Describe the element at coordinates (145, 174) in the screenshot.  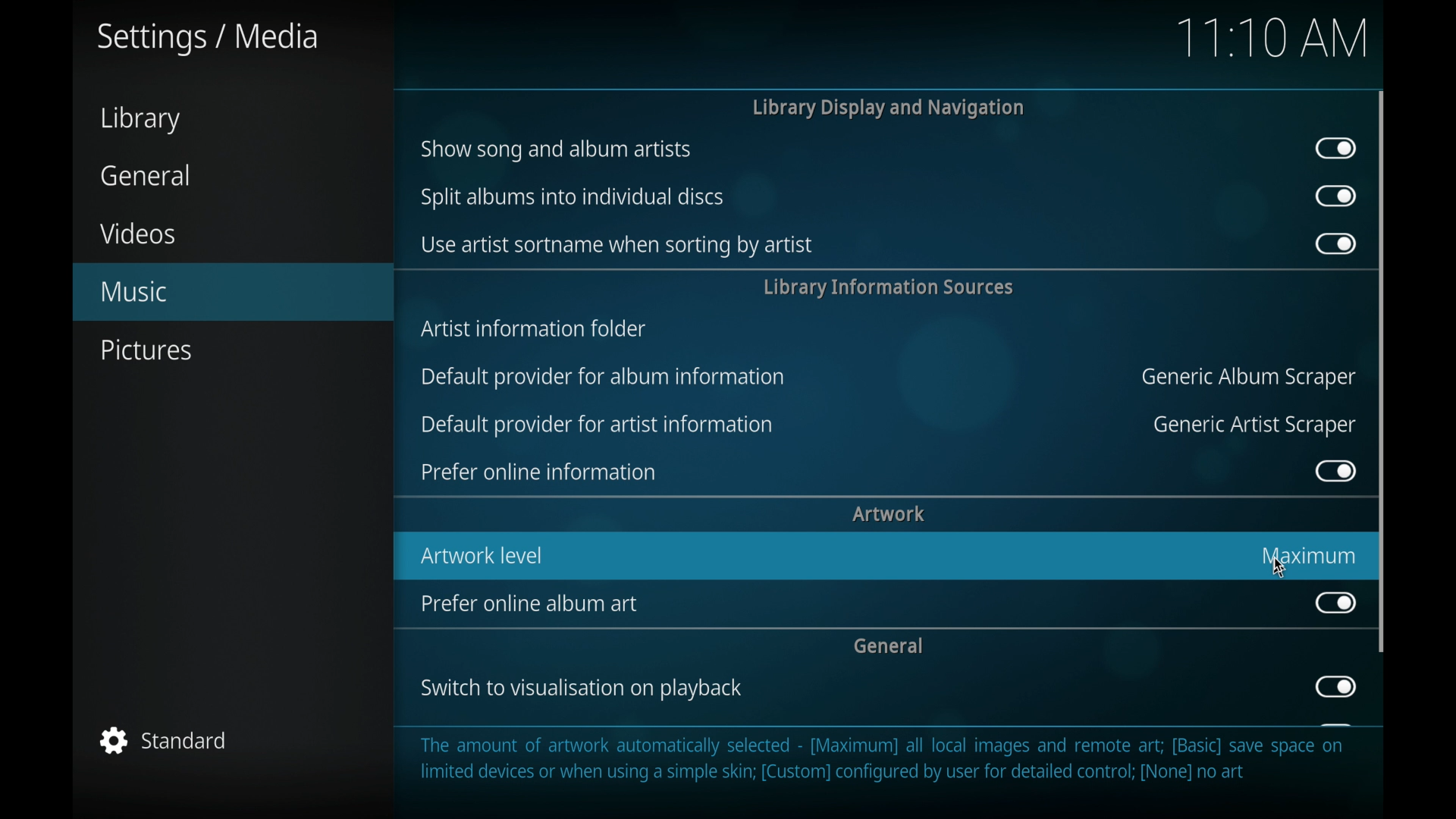
I see `general` at that location.